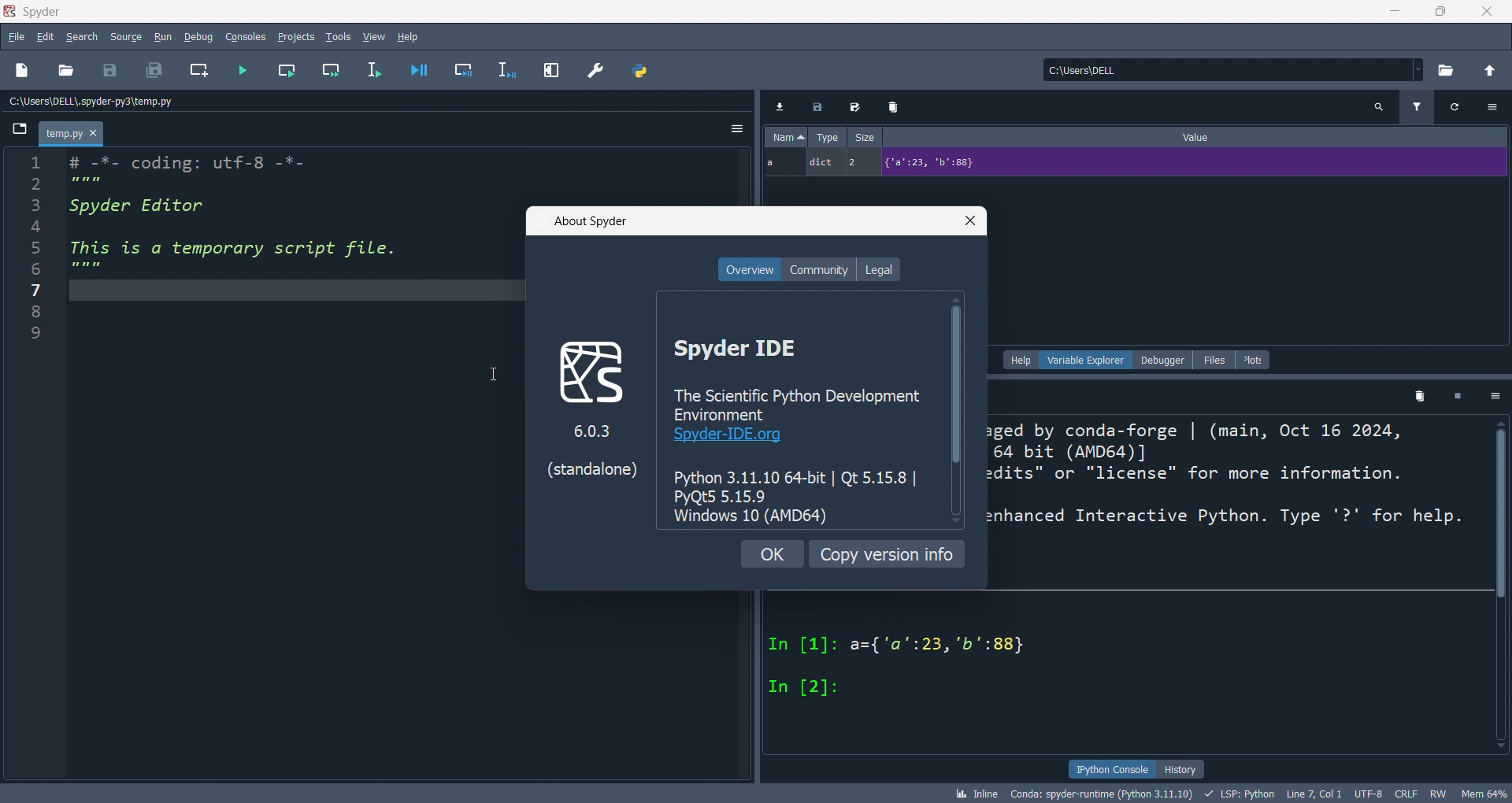  Describe the element at coordinates (1488, 12) in the screenshot. I see `close` at that location.